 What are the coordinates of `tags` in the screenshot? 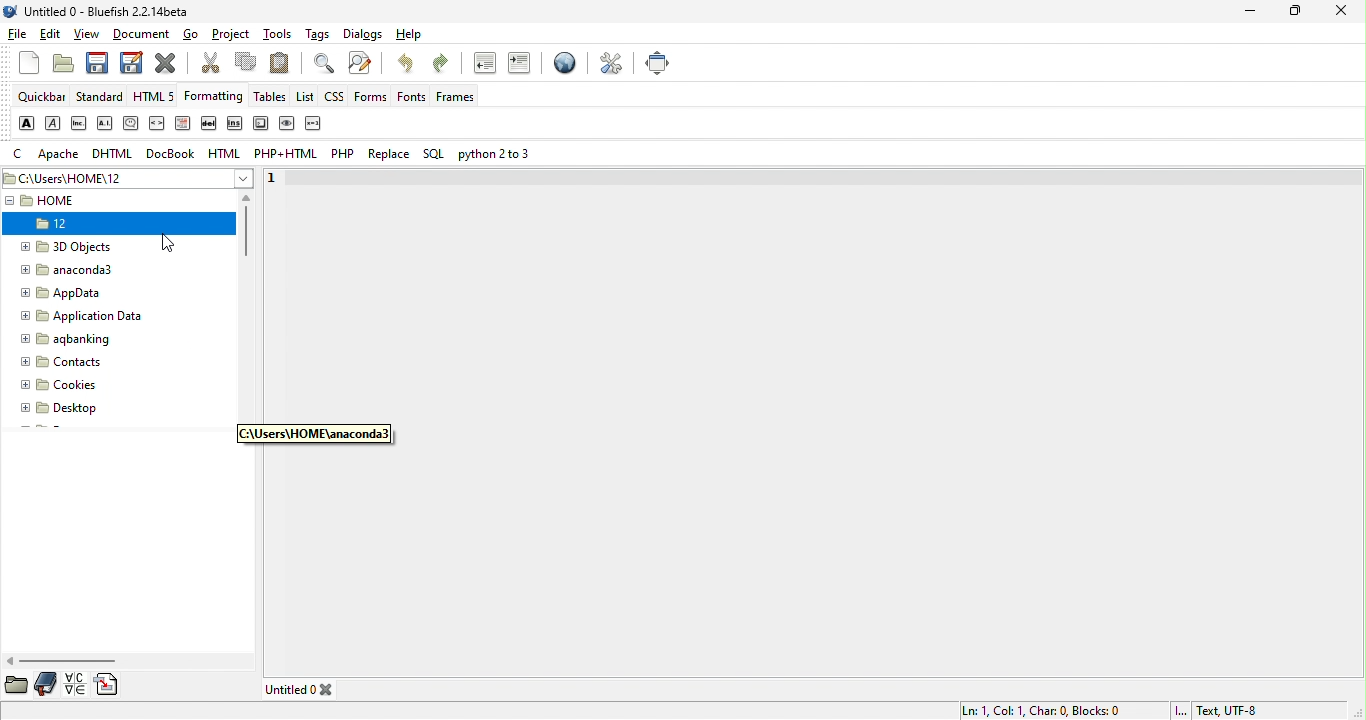 It's located at (317, 33).